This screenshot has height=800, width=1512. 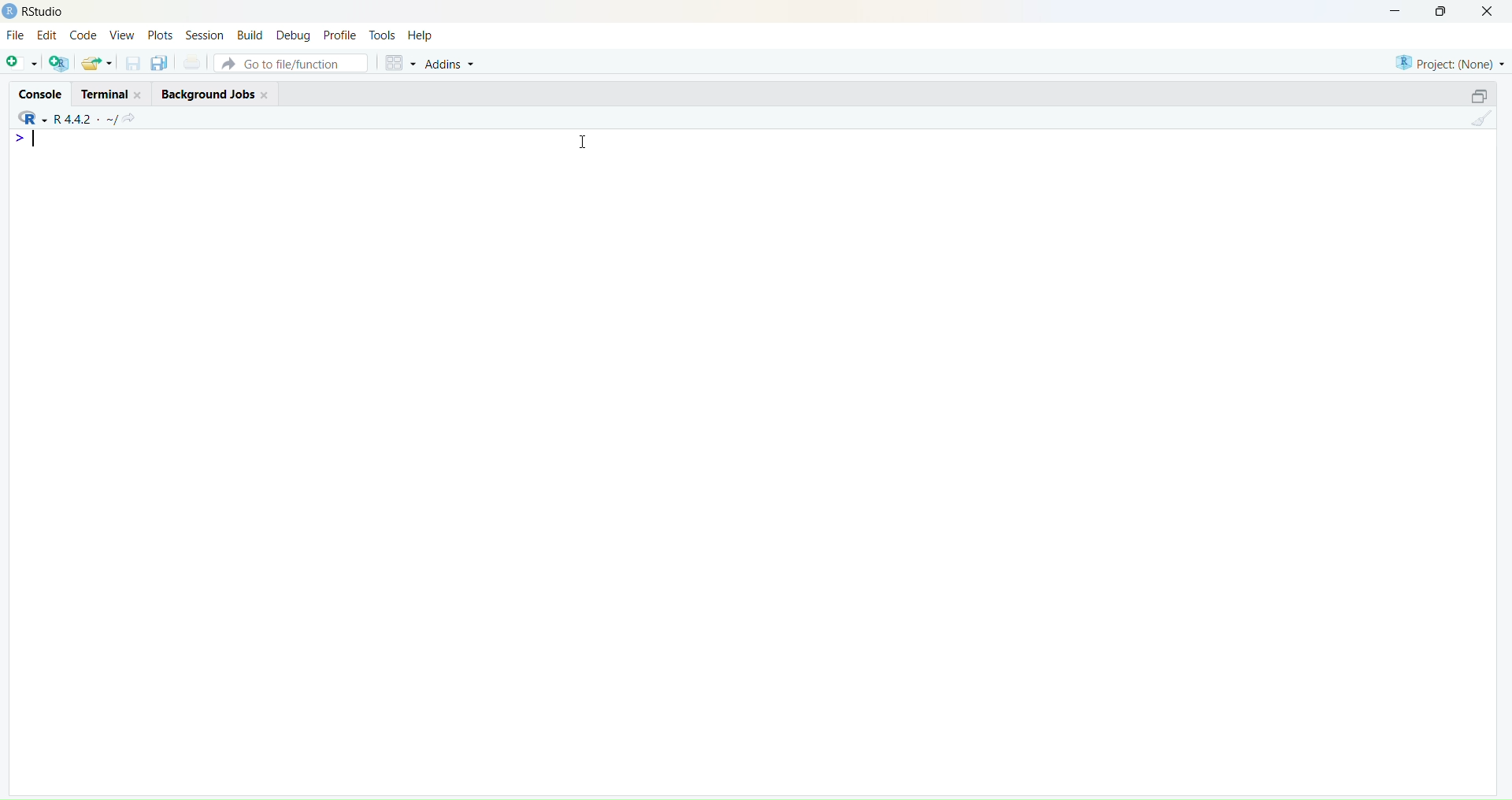 I want to click on grid, so click(x=402, y=64).